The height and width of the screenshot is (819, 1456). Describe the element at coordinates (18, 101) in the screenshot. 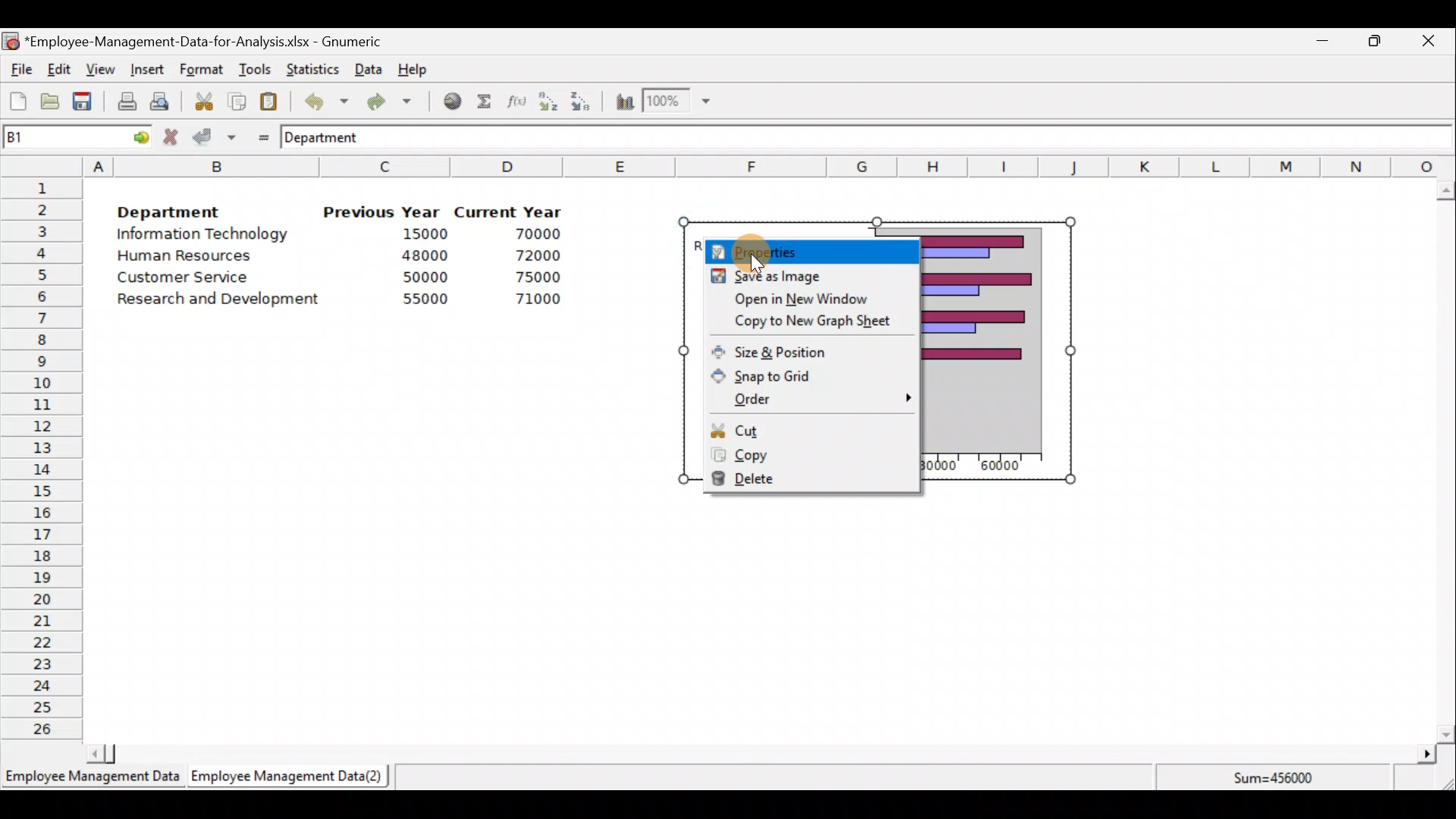

I see `Create a new workbook` at that location.